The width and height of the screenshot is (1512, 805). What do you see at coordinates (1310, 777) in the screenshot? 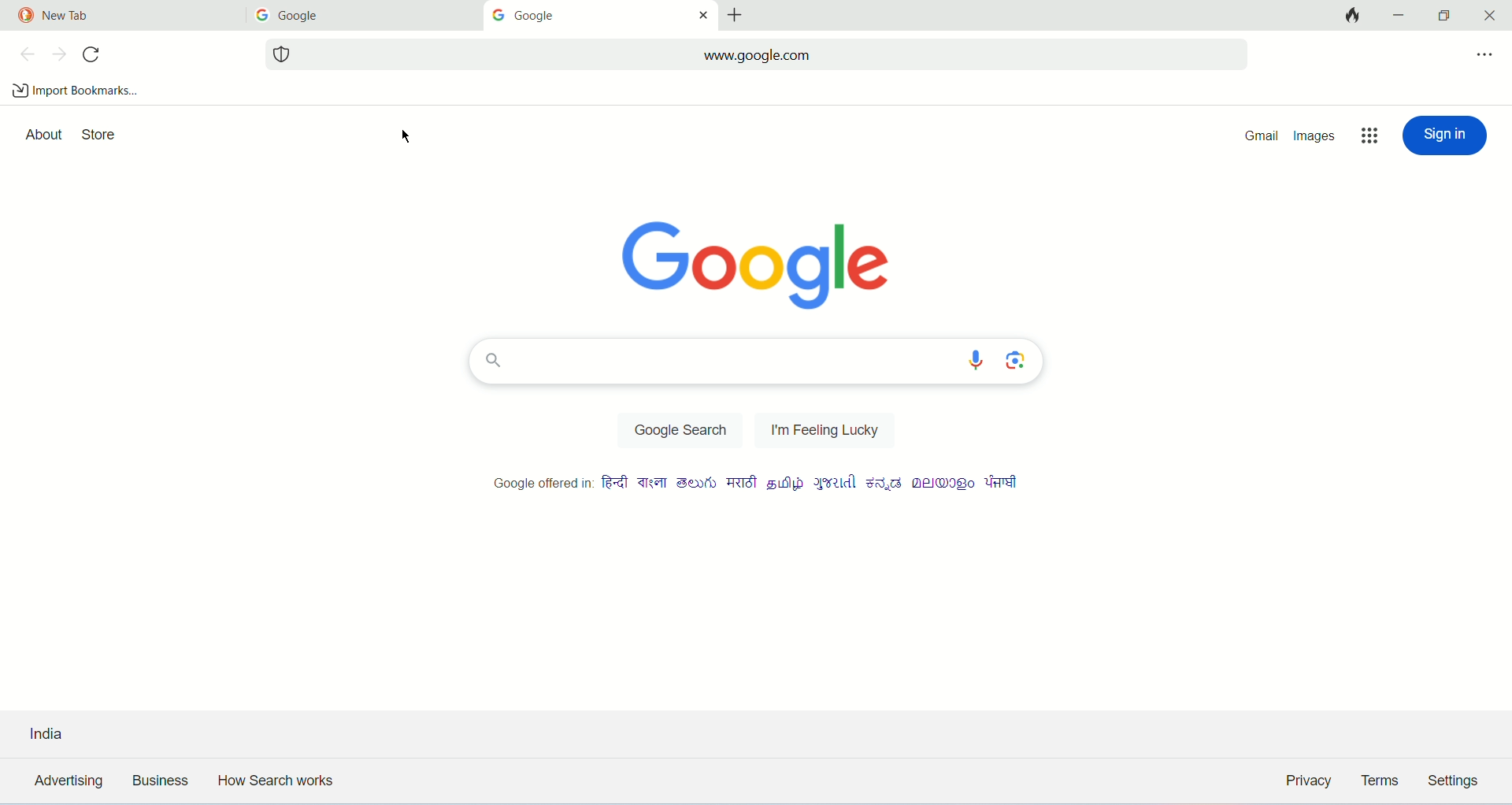
I see `privacy` at bounding box center [1310, 777].